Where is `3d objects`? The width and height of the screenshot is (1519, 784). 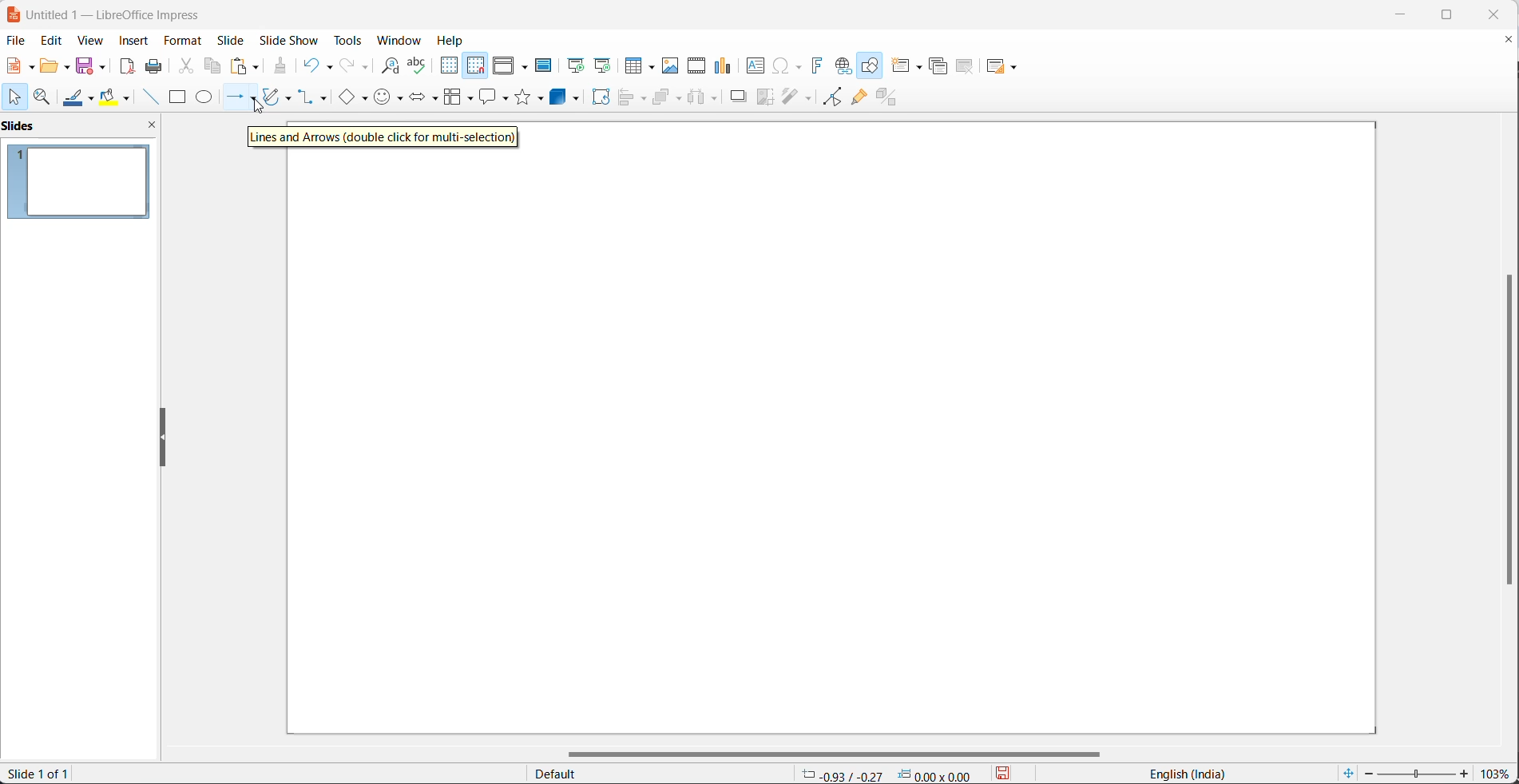 3d objects is located at coordinates (567, 98).